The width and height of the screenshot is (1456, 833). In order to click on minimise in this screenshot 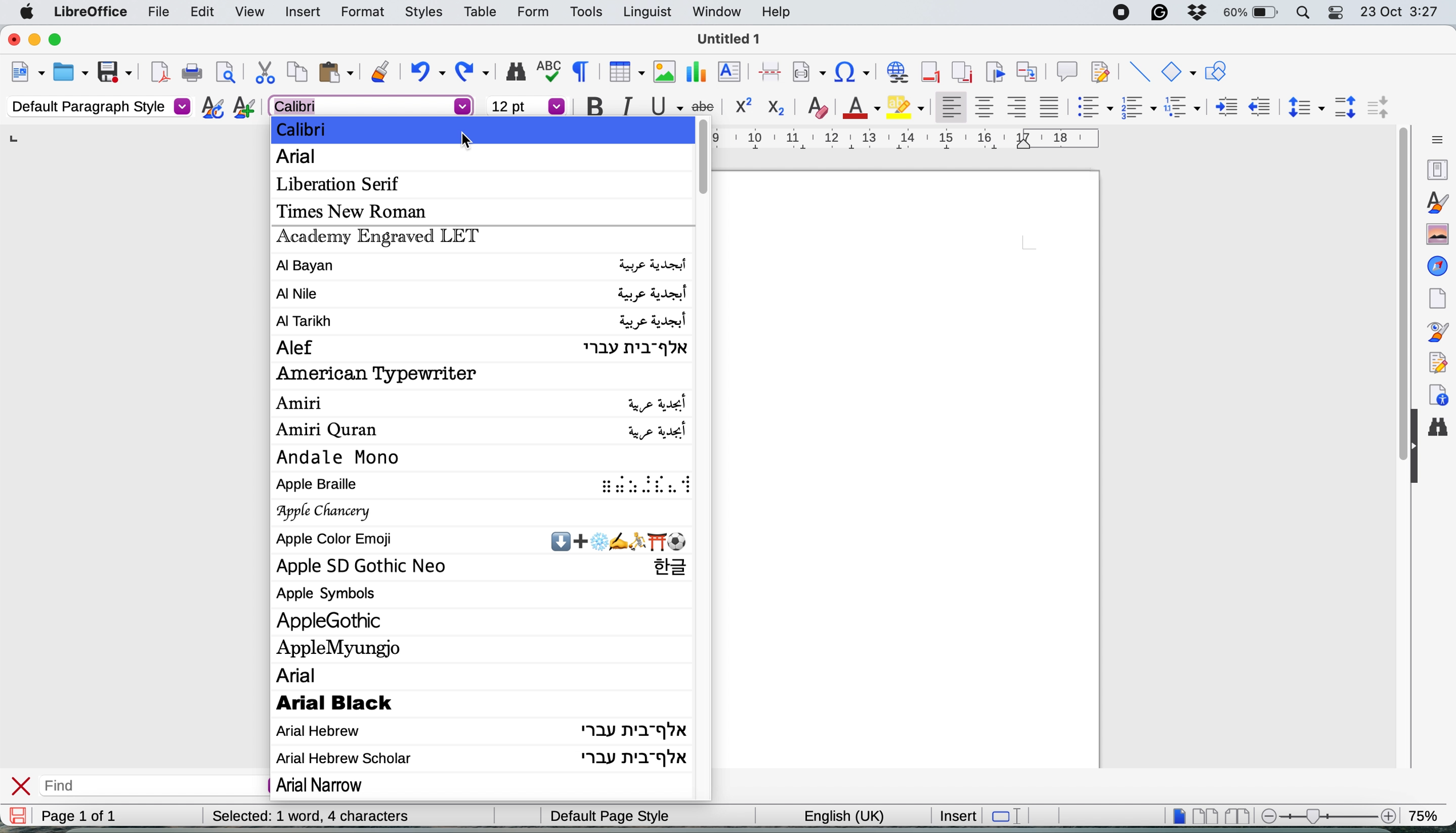, I will do `click(33, 39)`.